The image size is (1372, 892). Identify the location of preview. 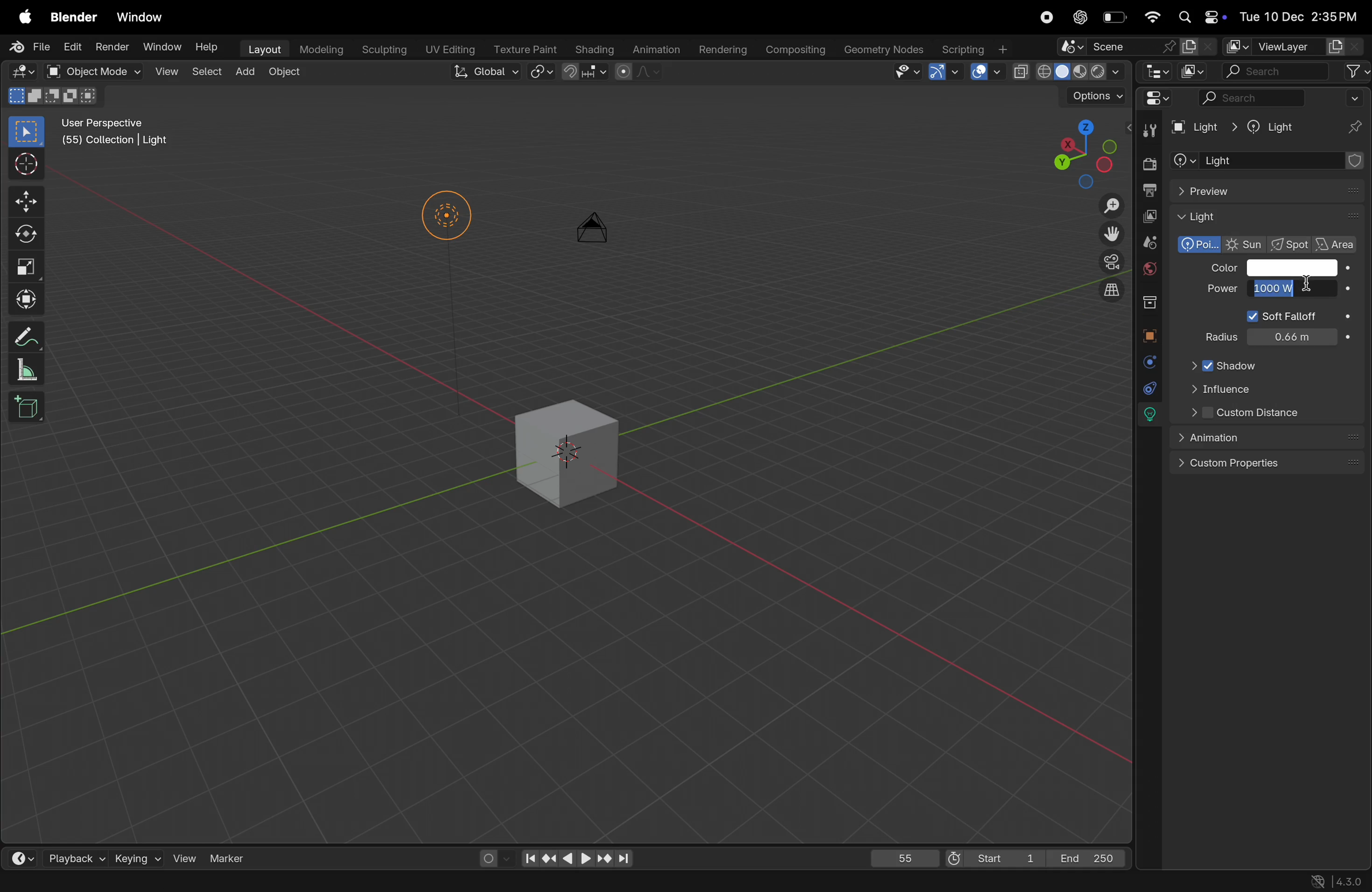
(1268, 190).